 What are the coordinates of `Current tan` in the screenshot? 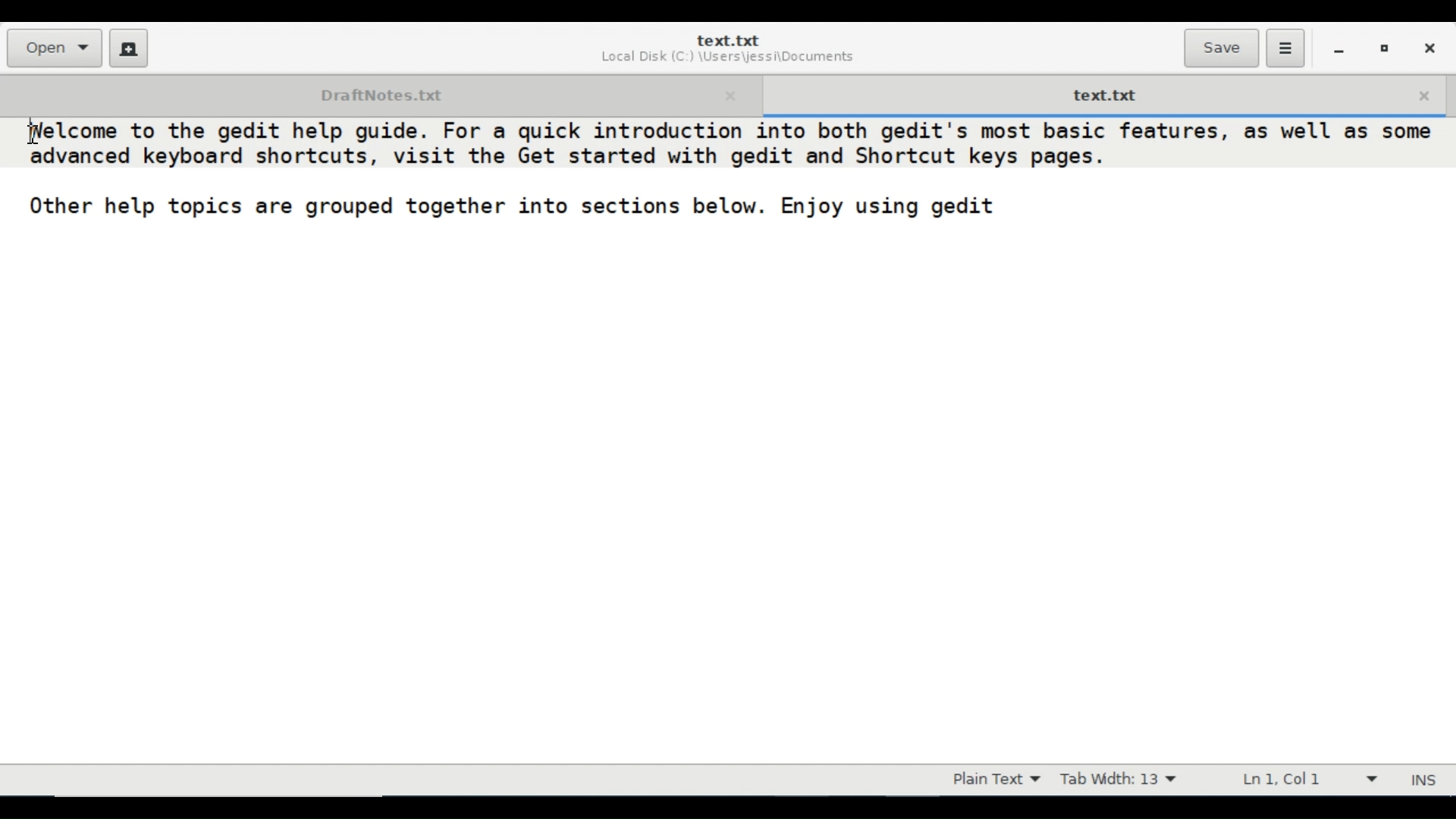 It's located at (1103, 93).